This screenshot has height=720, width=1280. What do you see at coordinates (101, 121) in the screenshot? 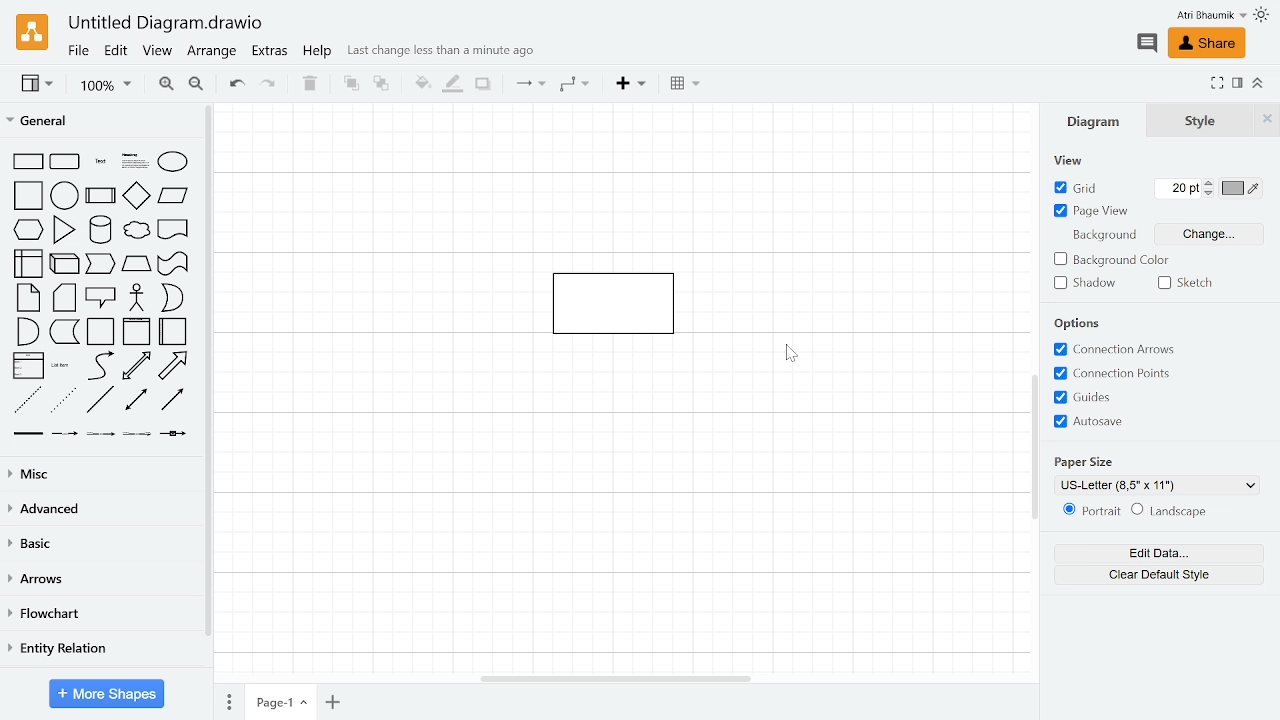
I see `General` at bounding box center [101, 121].